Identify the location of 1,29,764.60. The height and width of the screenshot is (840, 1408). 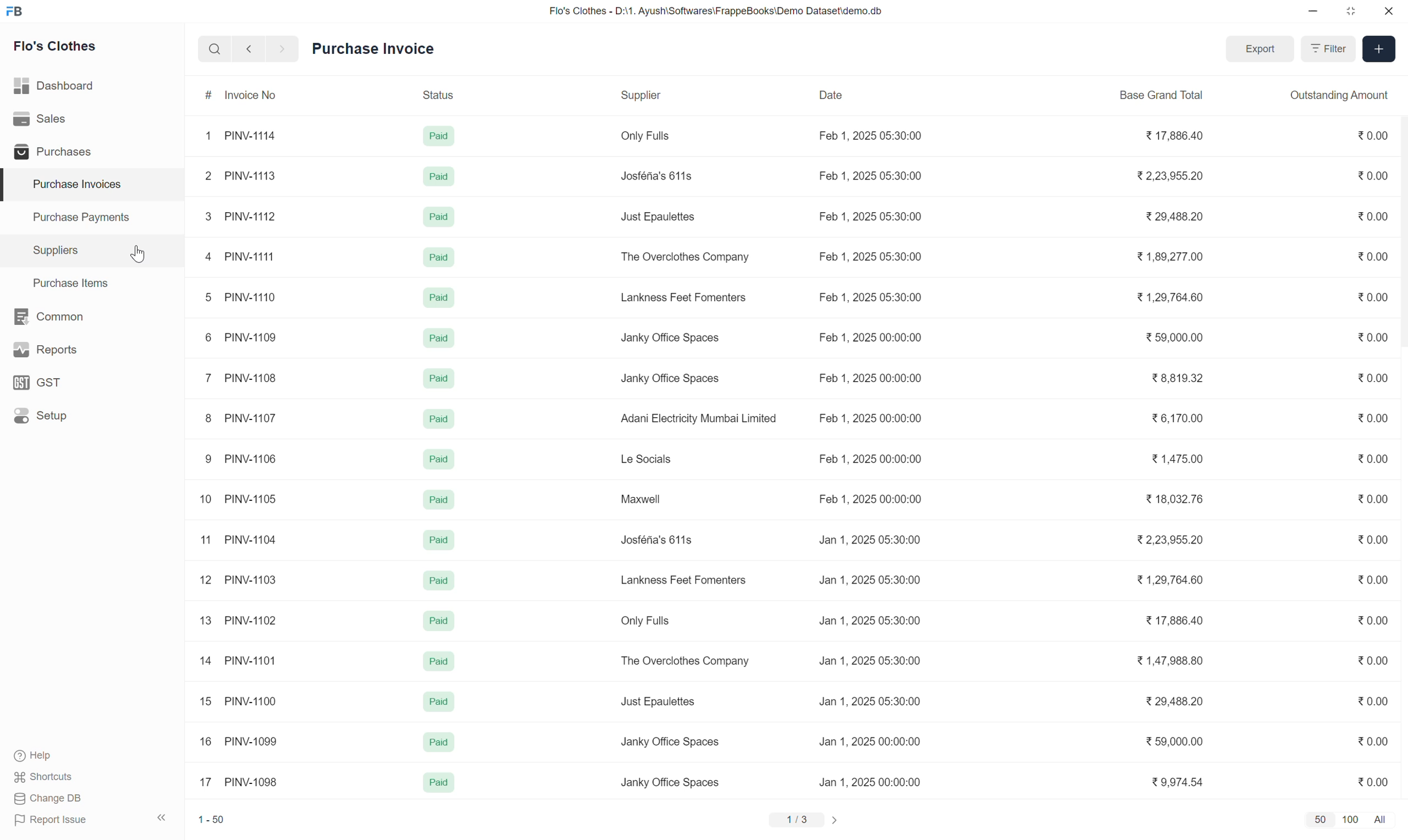
(1167, 579).